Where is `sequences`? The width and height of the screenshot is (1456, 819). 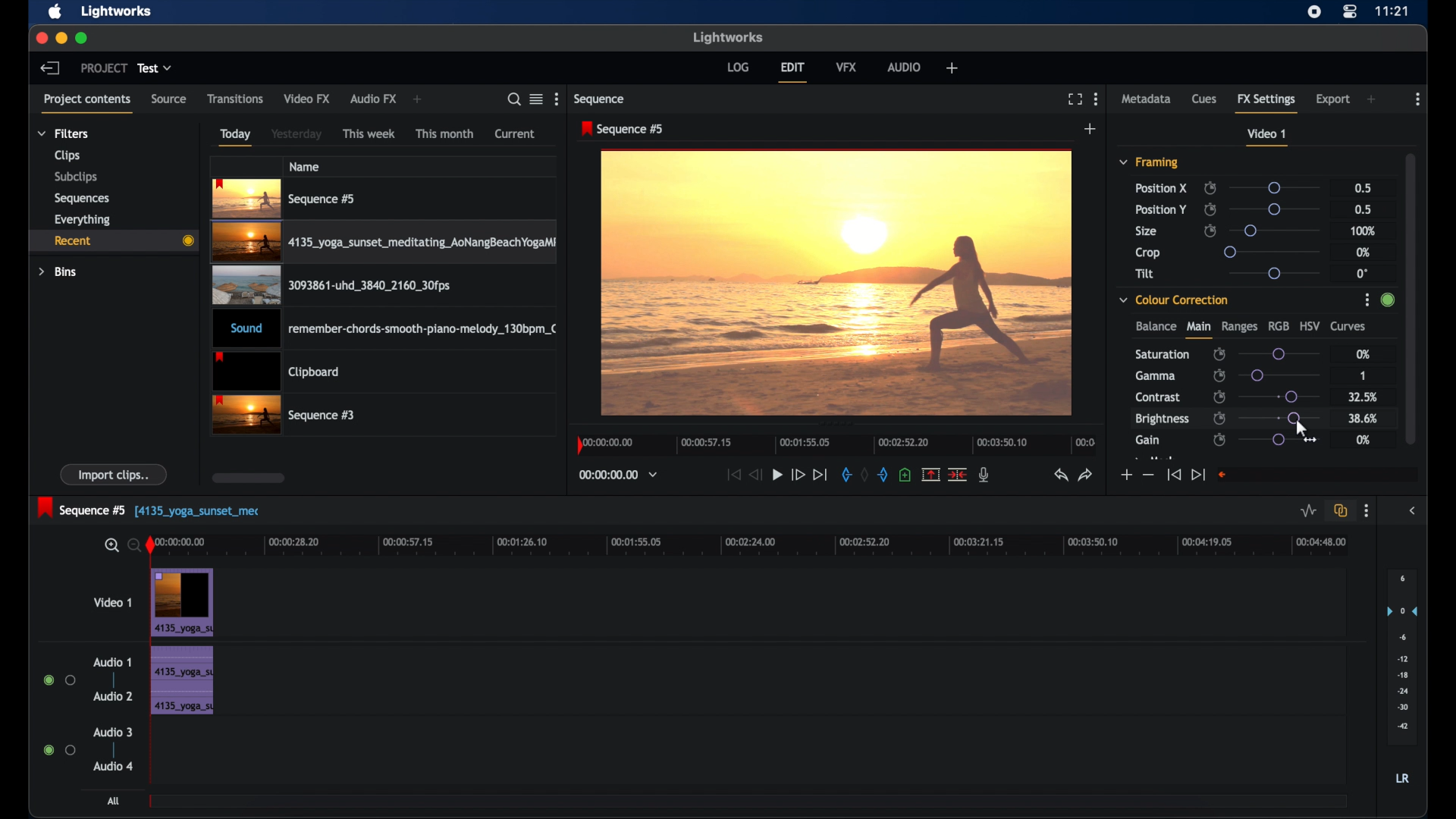 sequences is located at coordinates (82, 199).